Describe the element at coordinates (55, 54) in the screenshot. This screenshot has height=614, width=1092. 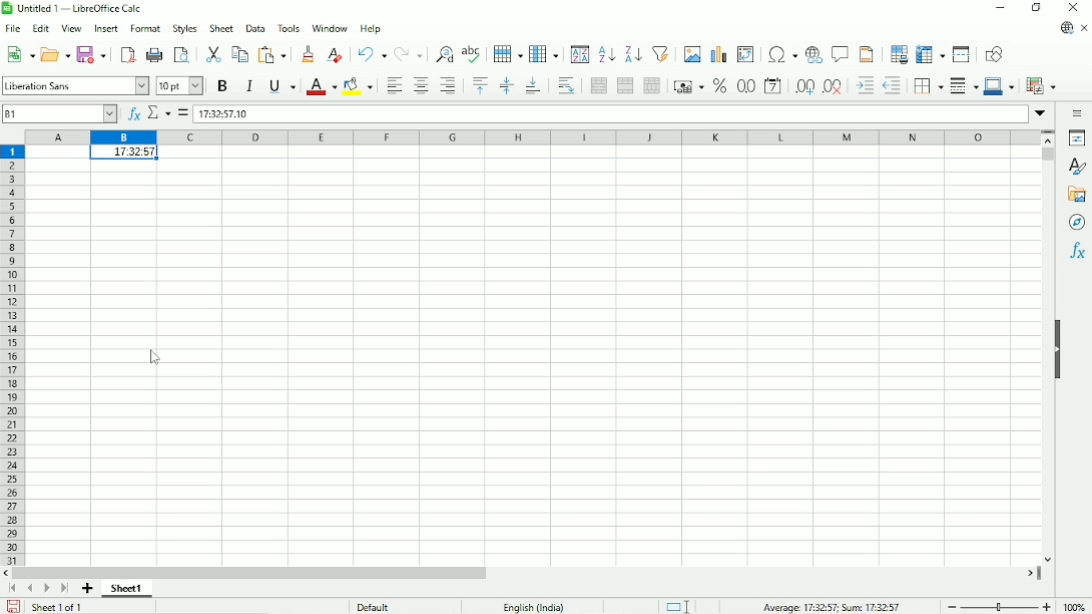
I see `Open` at that location.